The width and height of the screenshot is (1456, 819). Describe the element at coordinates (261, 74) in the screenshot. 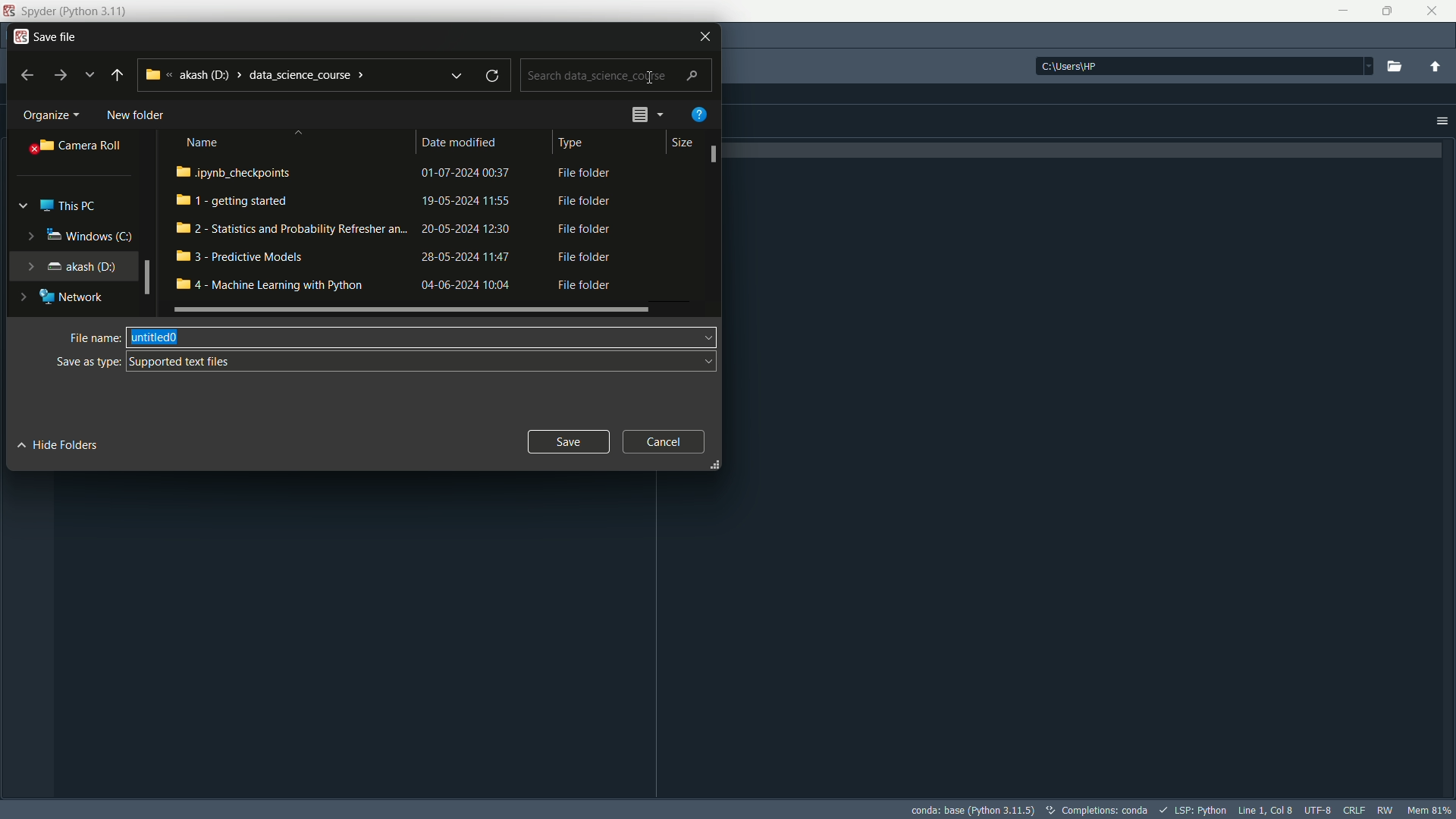

I see `File diresctory` at that location.